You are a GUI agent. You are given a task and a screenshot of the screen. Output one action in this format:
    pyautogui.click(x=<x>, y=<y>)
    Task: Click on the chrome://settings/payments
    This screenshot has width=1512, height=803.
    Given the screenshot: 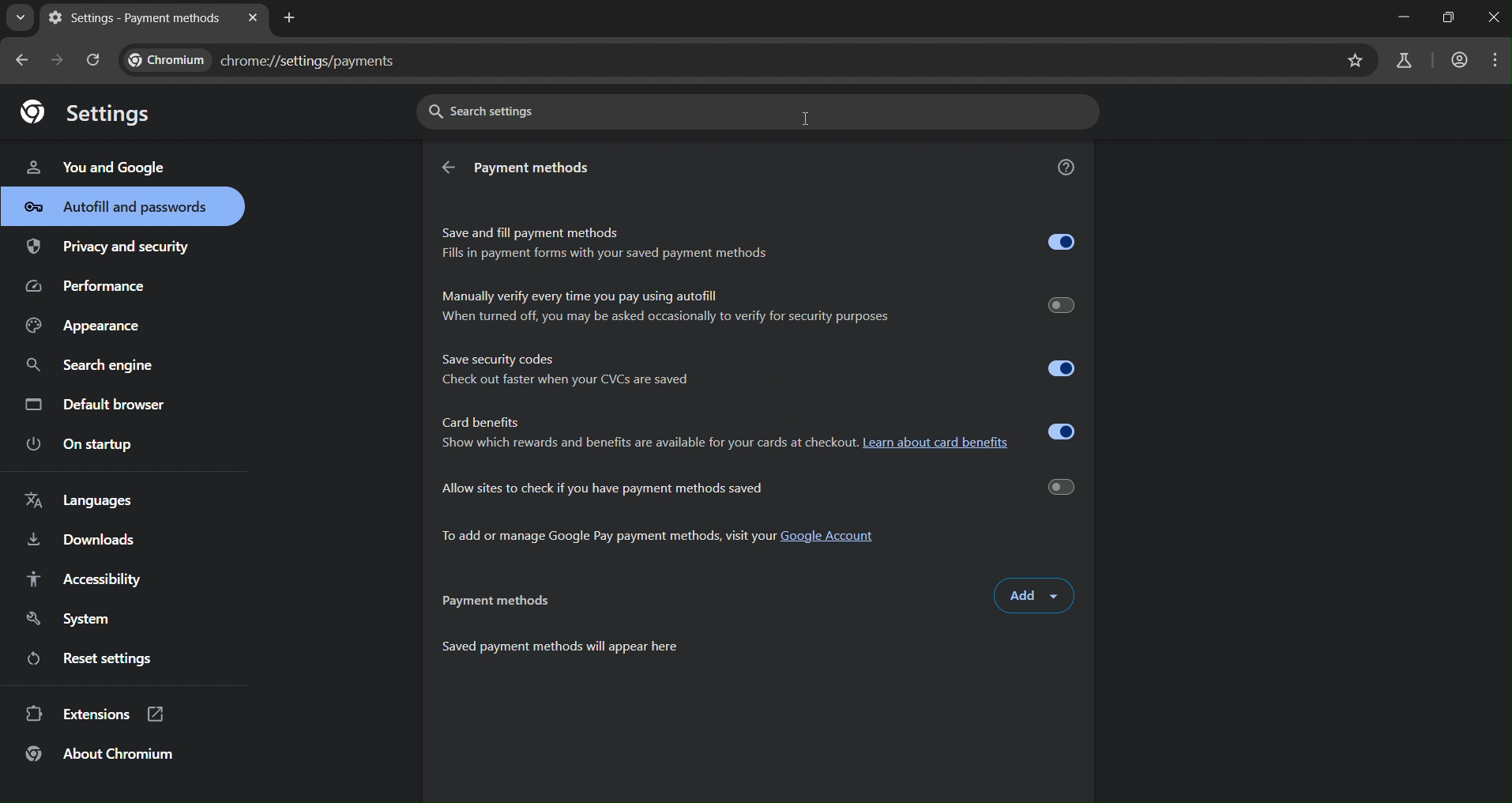 What is the action you would take?
    pyautogui.click(x=264, y=59)
    